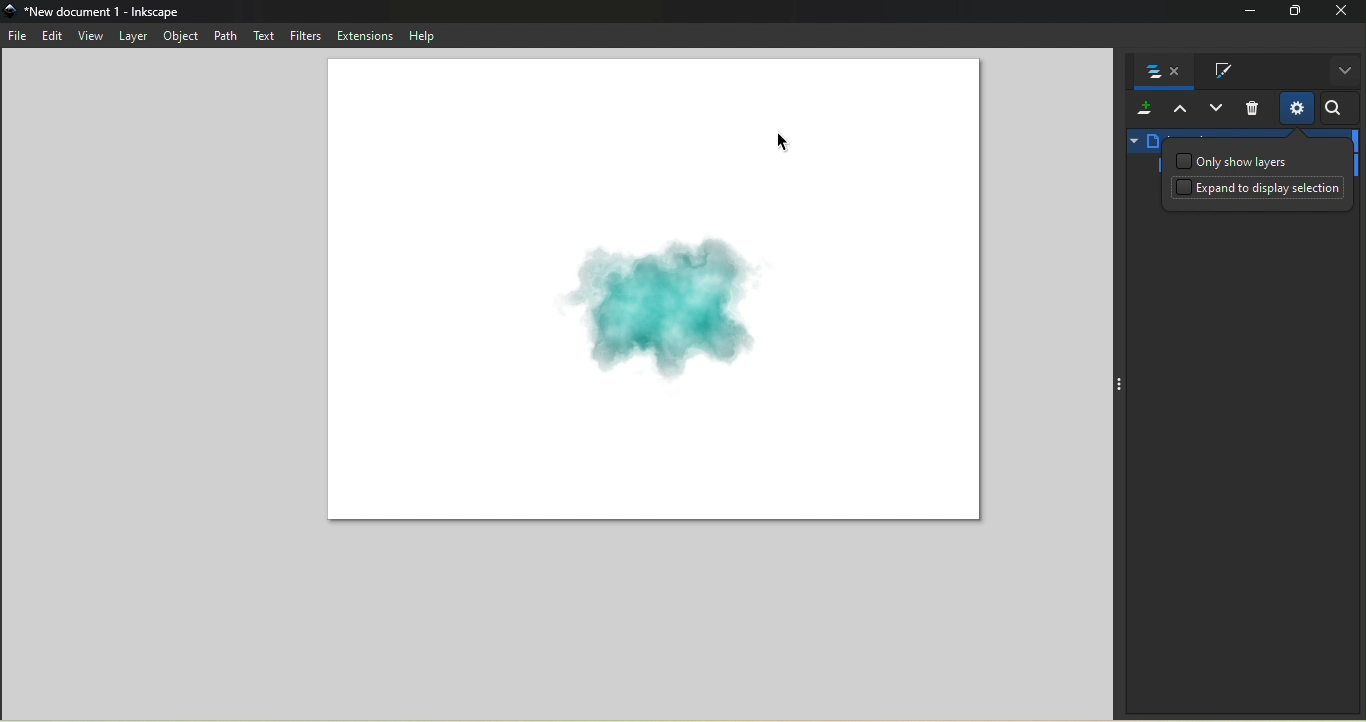  What do you see at coordinates (1216, 110) in the screenshot?
I see `Lower selection one step` at bounding box center [1216, 110].